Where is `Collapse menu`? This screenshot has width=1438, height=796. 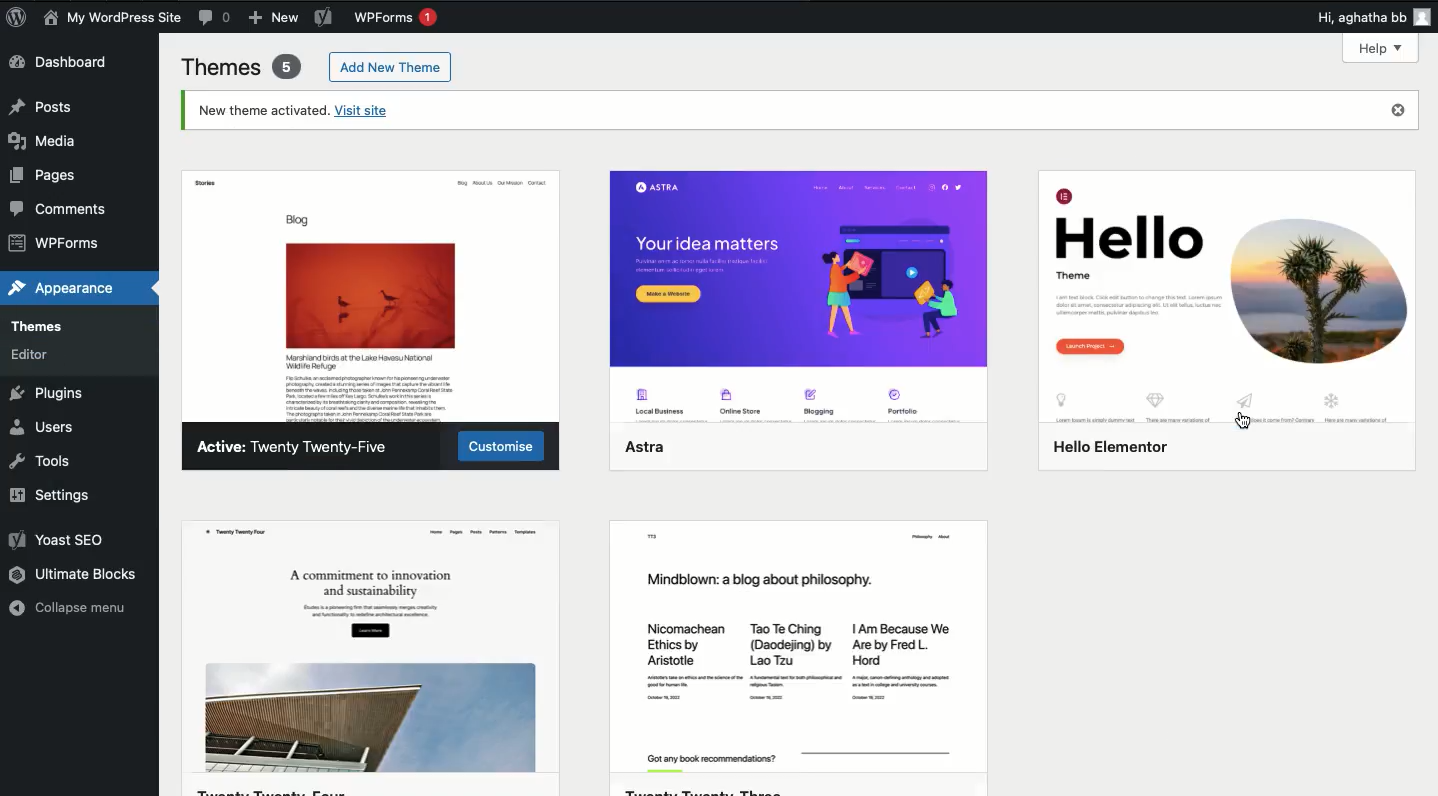 Collapse menu is located at coordinates (66, 605).